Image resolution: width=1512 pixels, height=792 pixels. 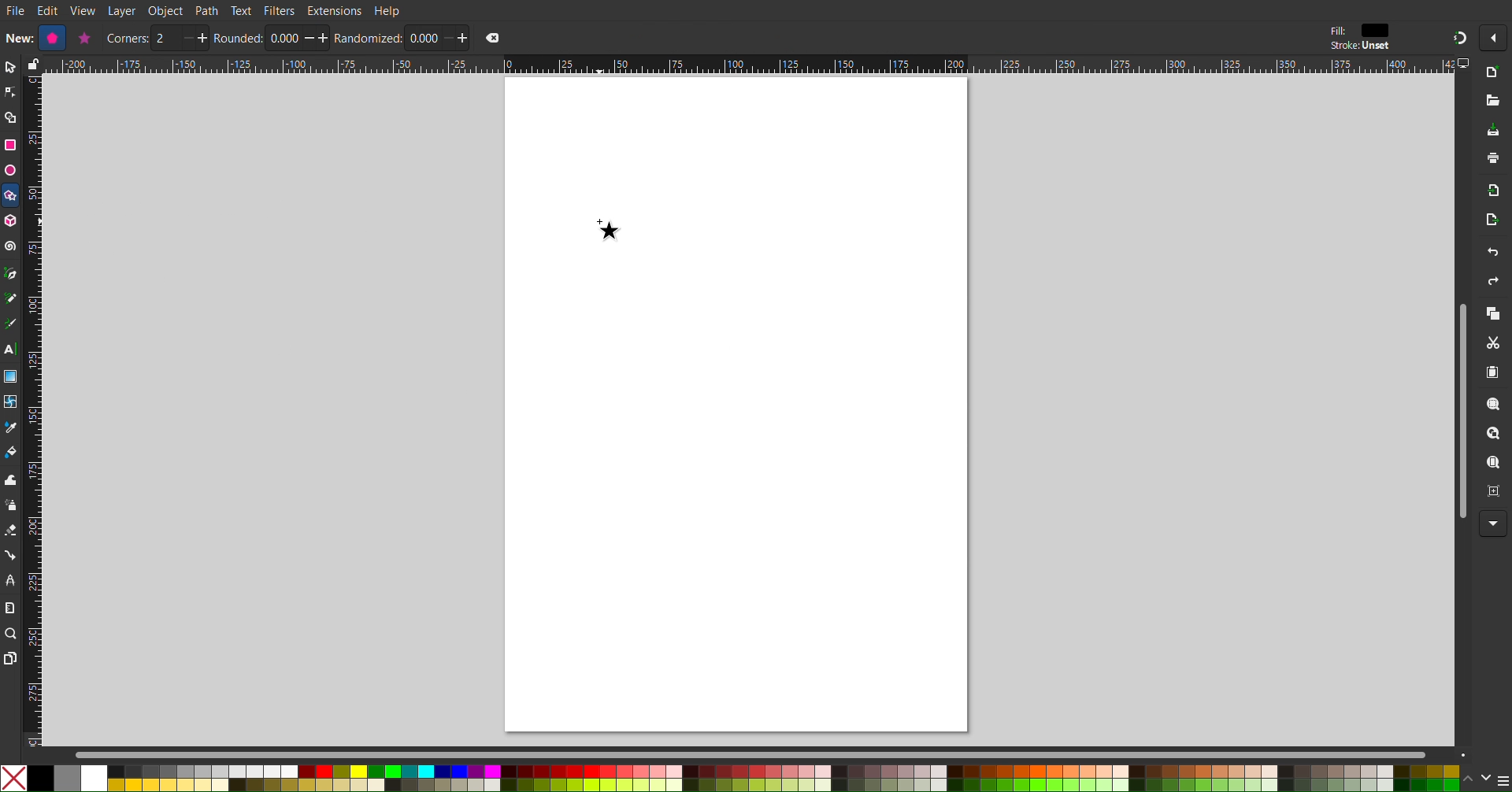 What do you see at coordinates (1359, 46) in the screenshot?
I see `Stroke: Unset` at bounding box center [1359, 46].